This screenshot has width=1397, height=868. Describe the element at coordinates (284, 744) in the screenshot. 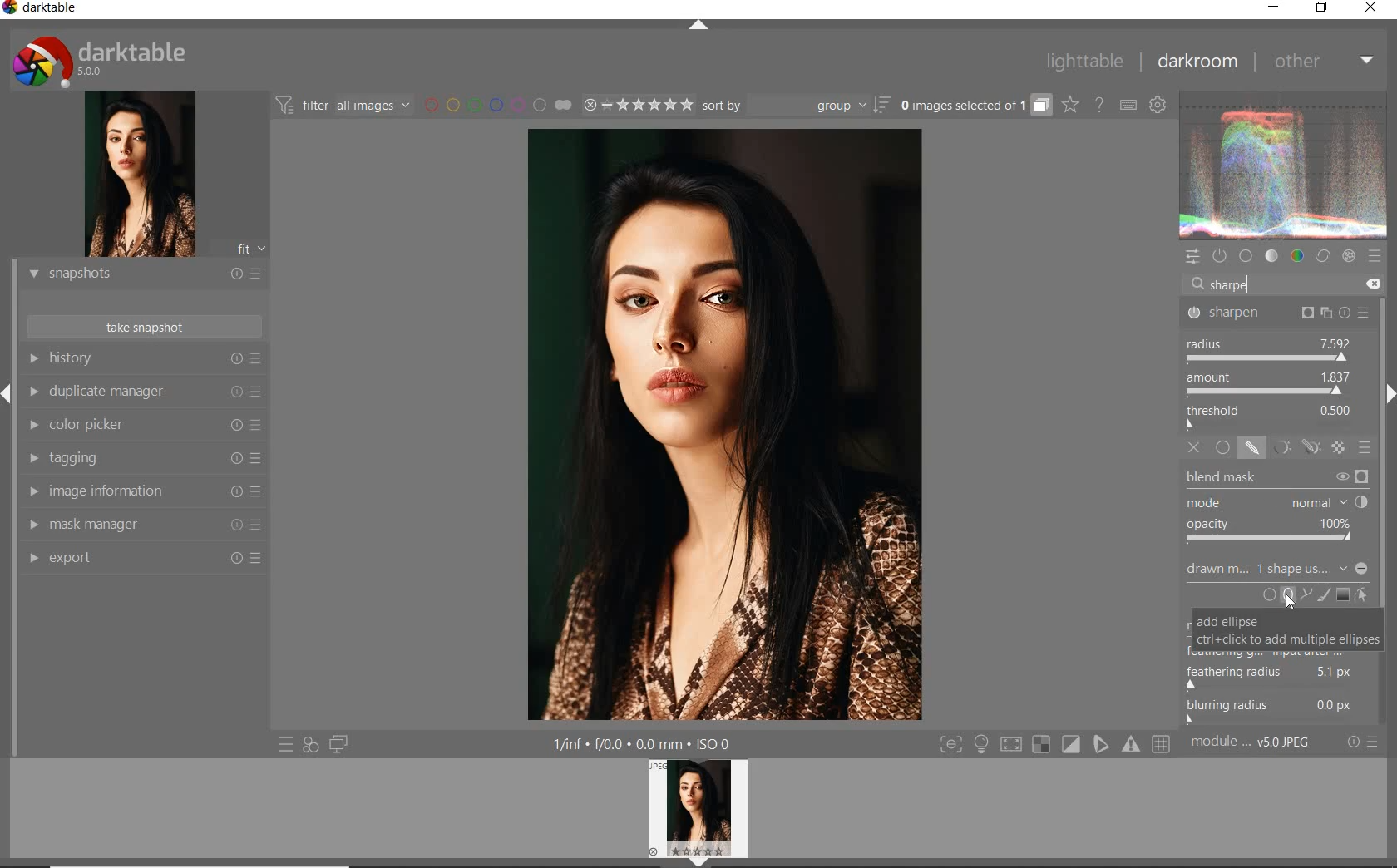

I see `quick access to presets` at that location.